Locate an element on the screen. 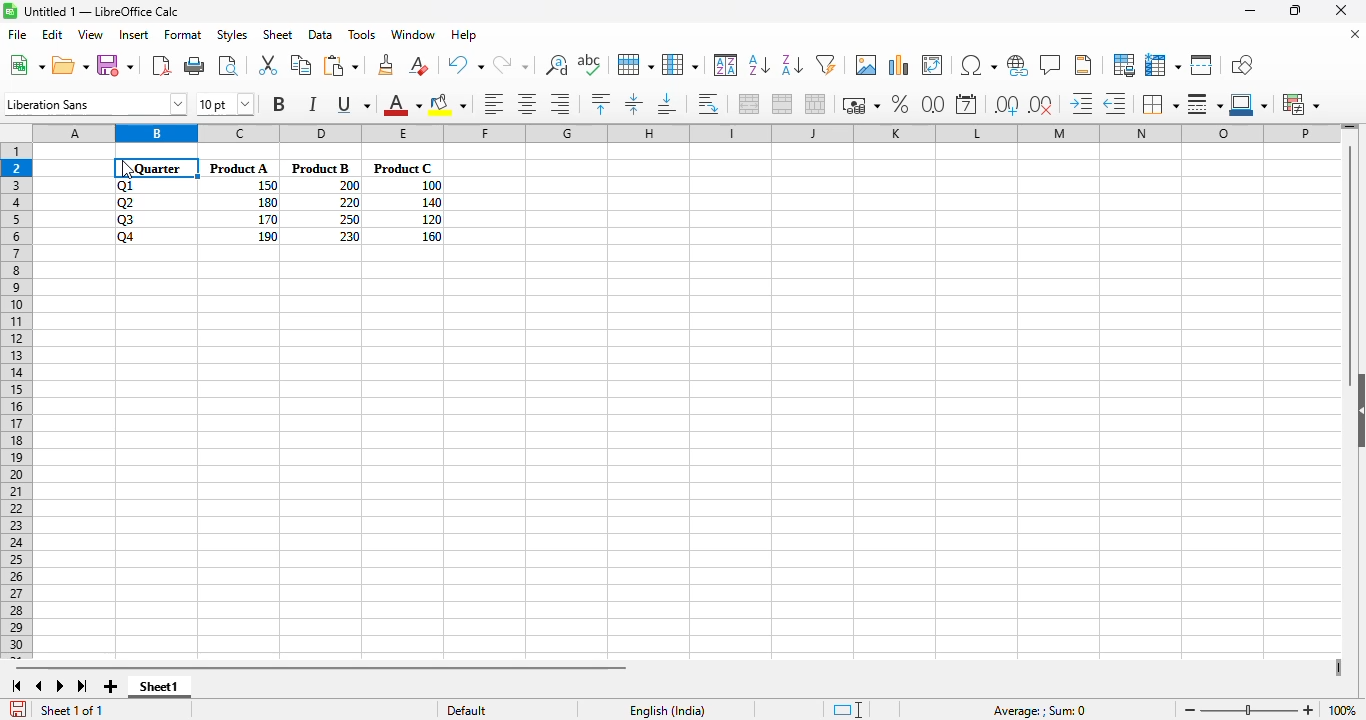  headers and footers is located at coordinates (1083, 65).